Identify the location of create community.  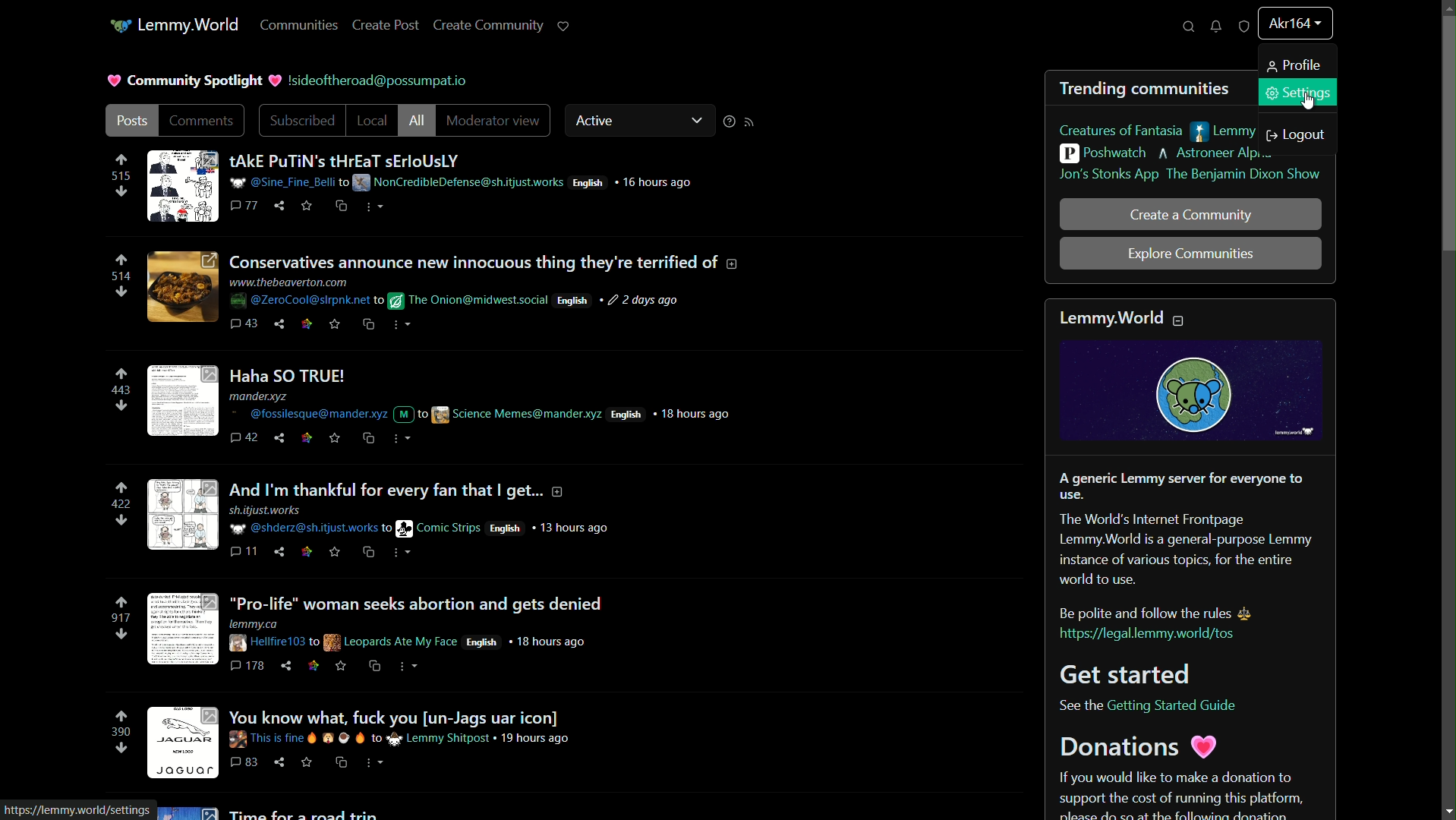
(487, 27).